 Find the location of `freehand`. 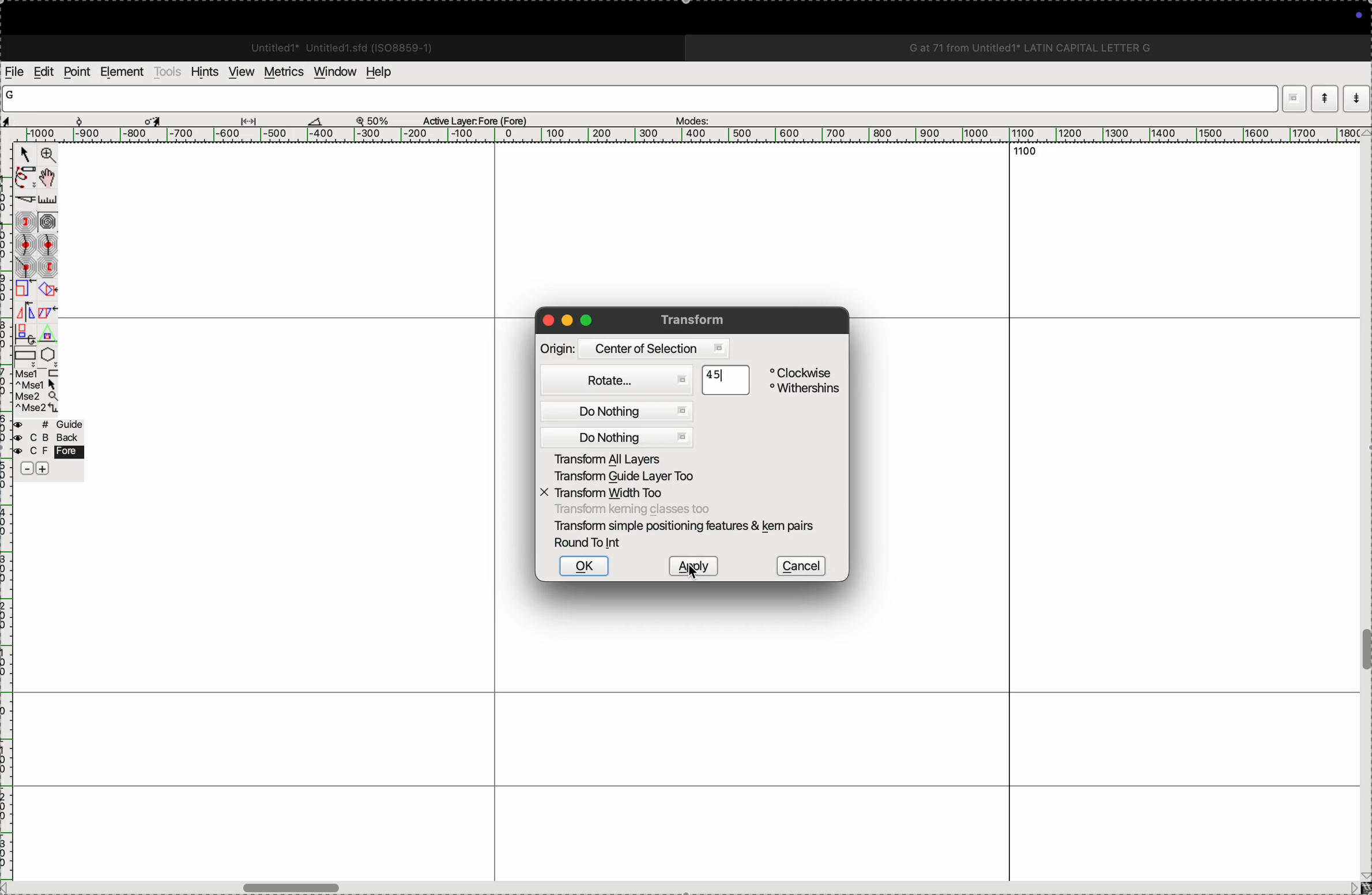

freehand is located at coordinates (25, 179).